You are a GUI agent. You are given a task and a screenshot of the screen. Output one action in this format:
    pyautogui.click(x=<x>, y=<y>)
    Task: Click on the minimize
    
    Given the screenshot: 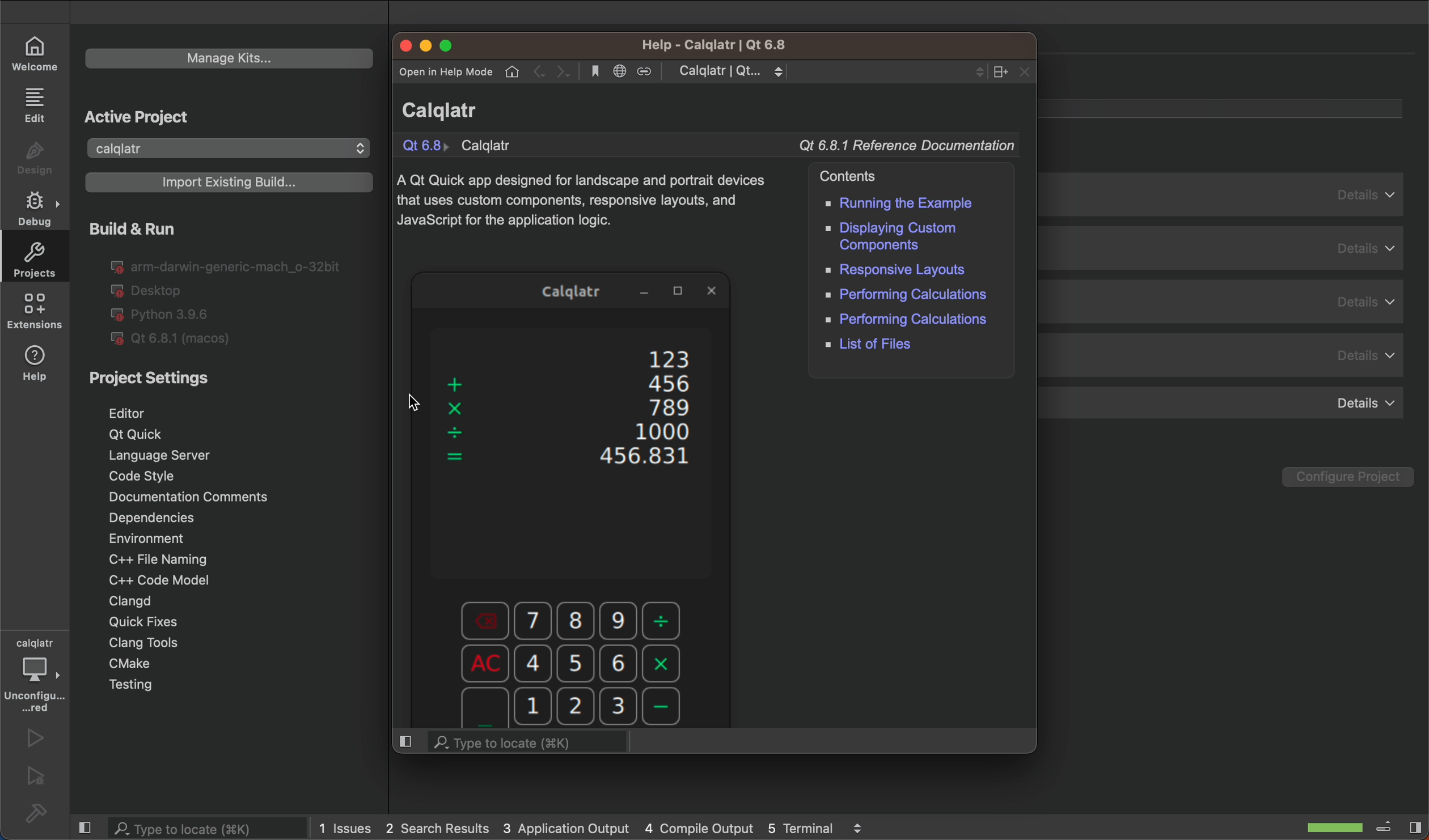 What is the action you would take?
    pyautogui.click(x=645, y=287)
    